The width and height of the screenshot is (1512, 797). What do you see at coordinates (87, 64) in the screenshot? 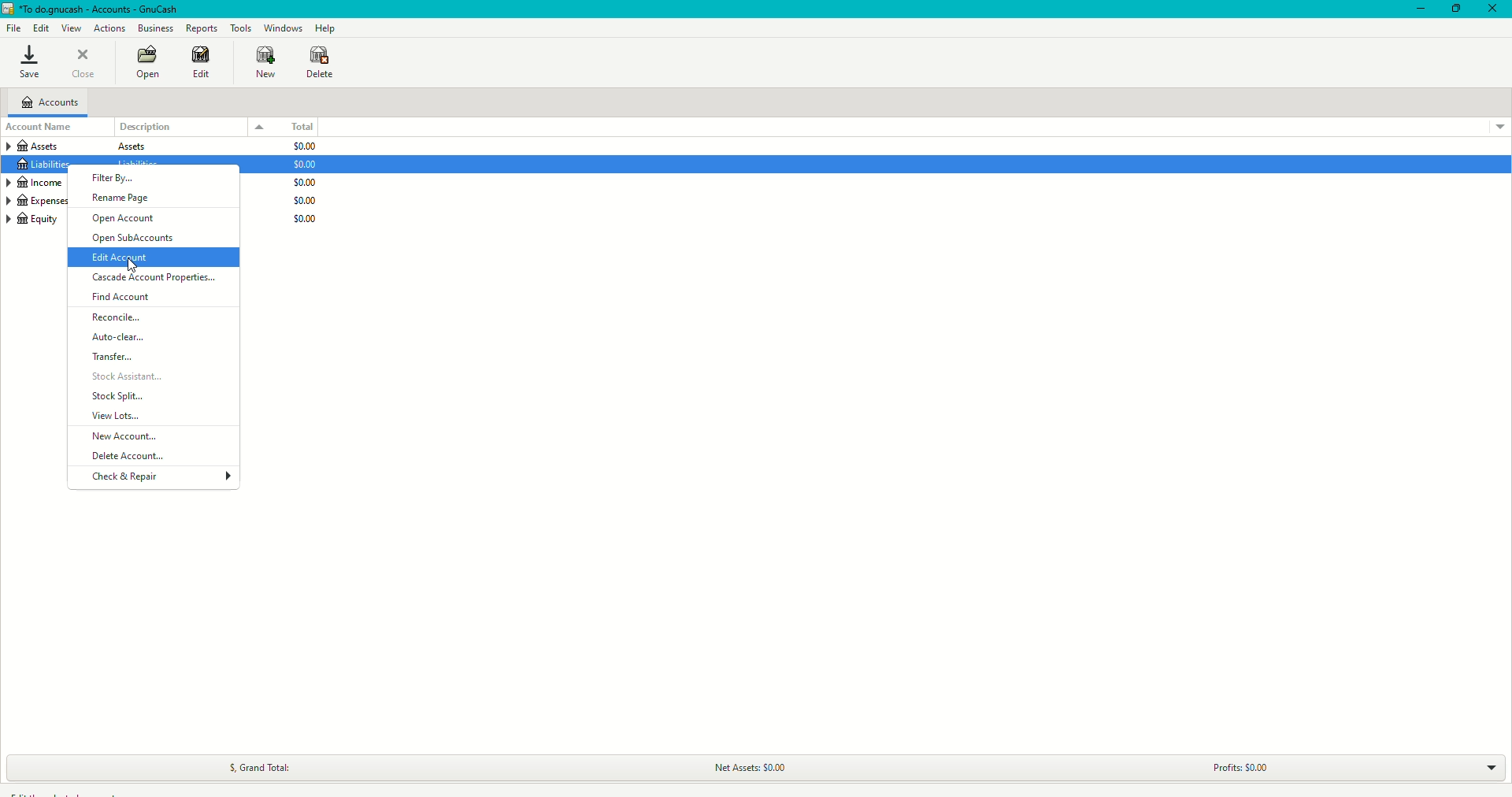
I see `Close` at bounding box center [87, 64].